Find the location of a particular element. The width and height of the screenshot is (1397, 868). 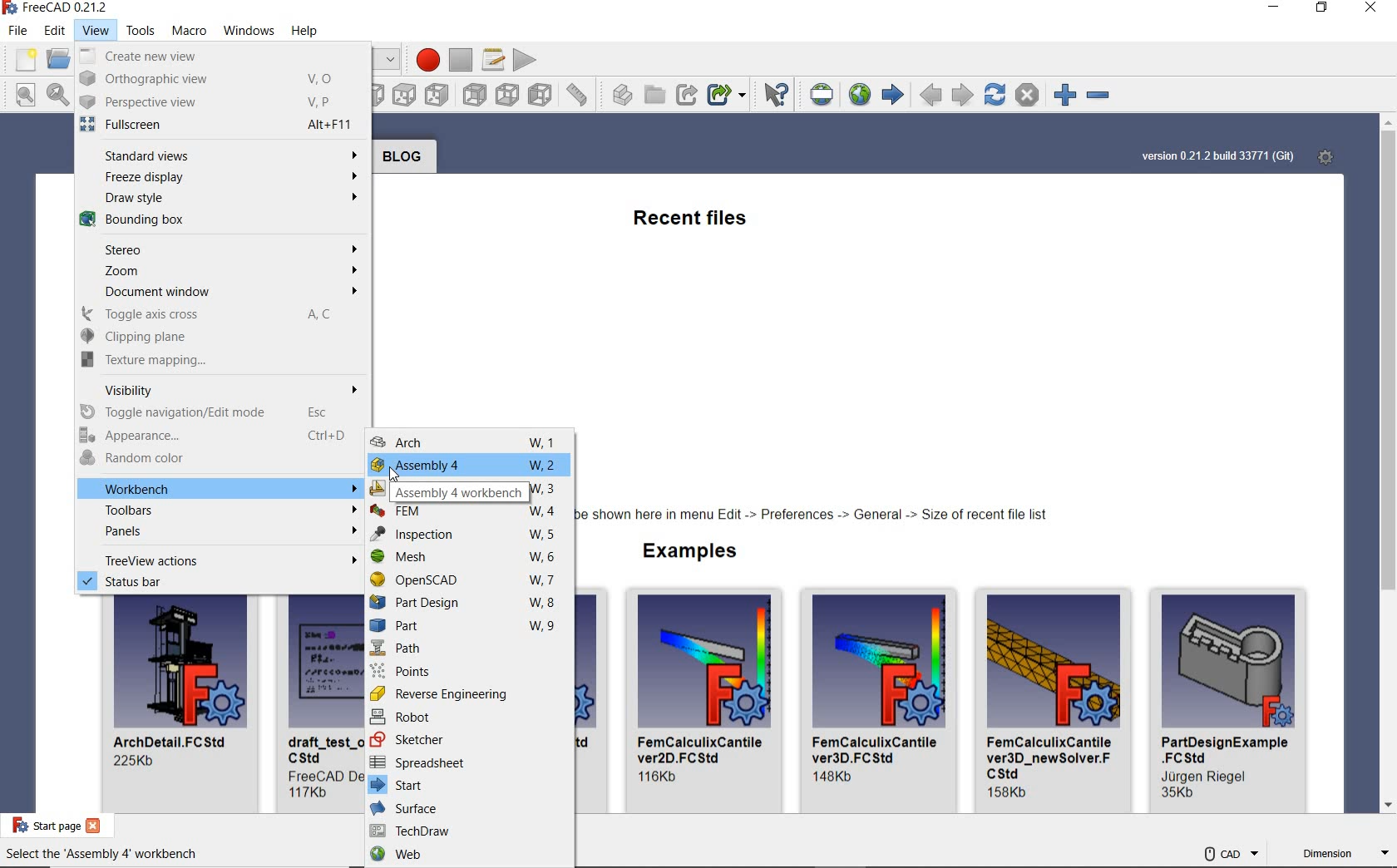

start is located at coordinates (465, 784).